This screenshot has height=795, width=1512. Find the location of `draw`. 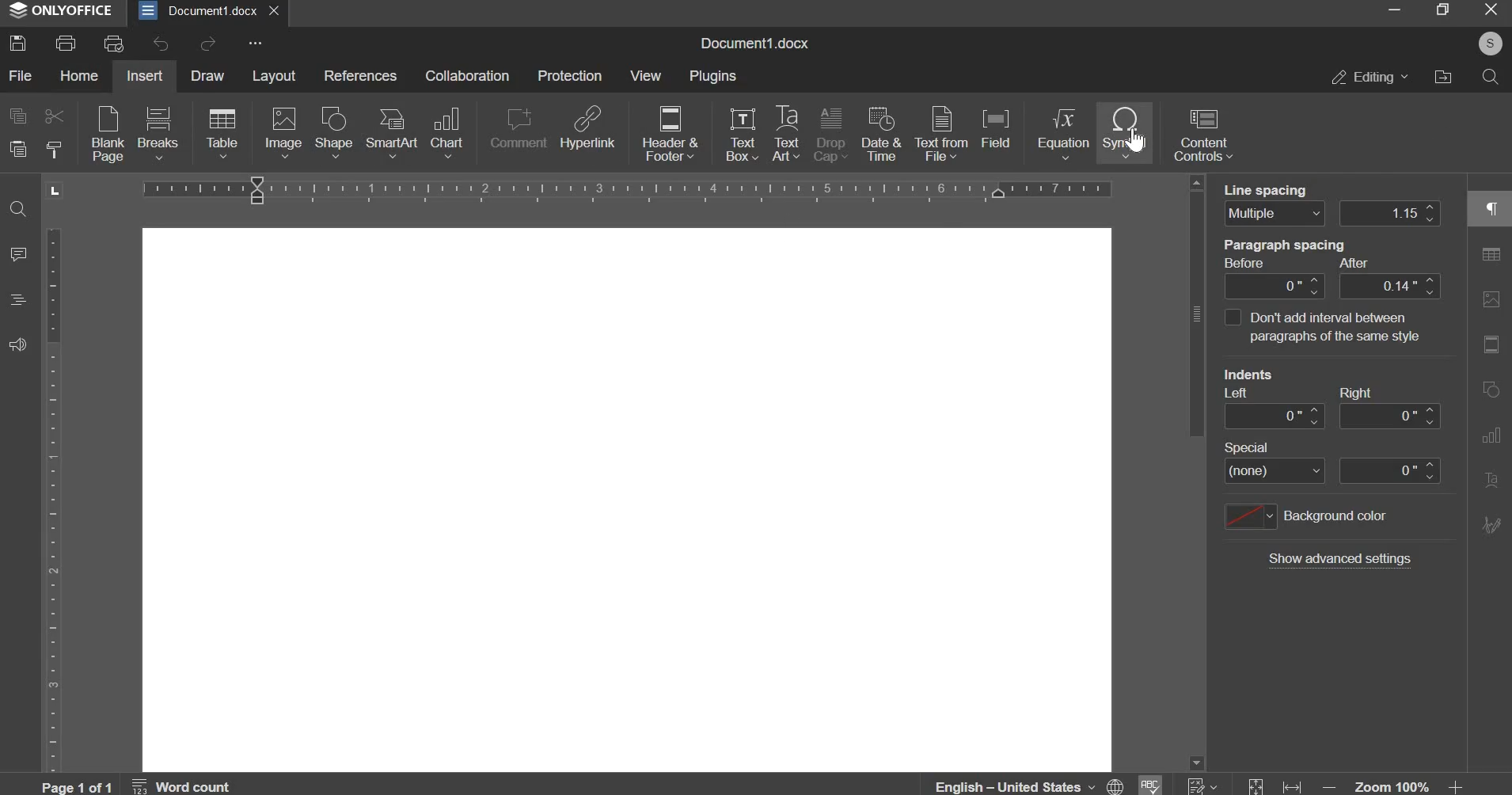

draw is located at coordinates (207, 75).